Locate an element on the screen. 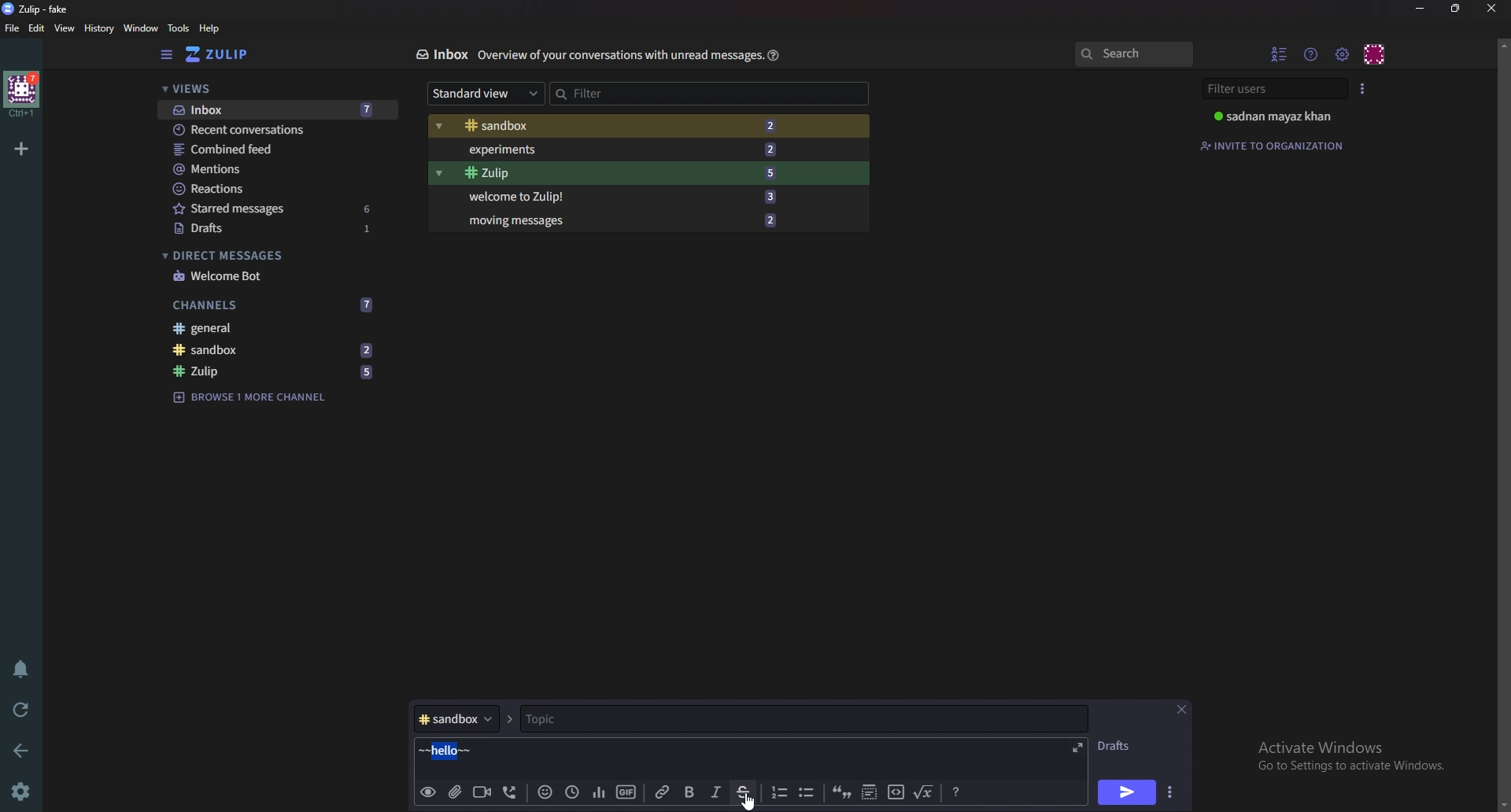  views is located at coordinates (275, 88).